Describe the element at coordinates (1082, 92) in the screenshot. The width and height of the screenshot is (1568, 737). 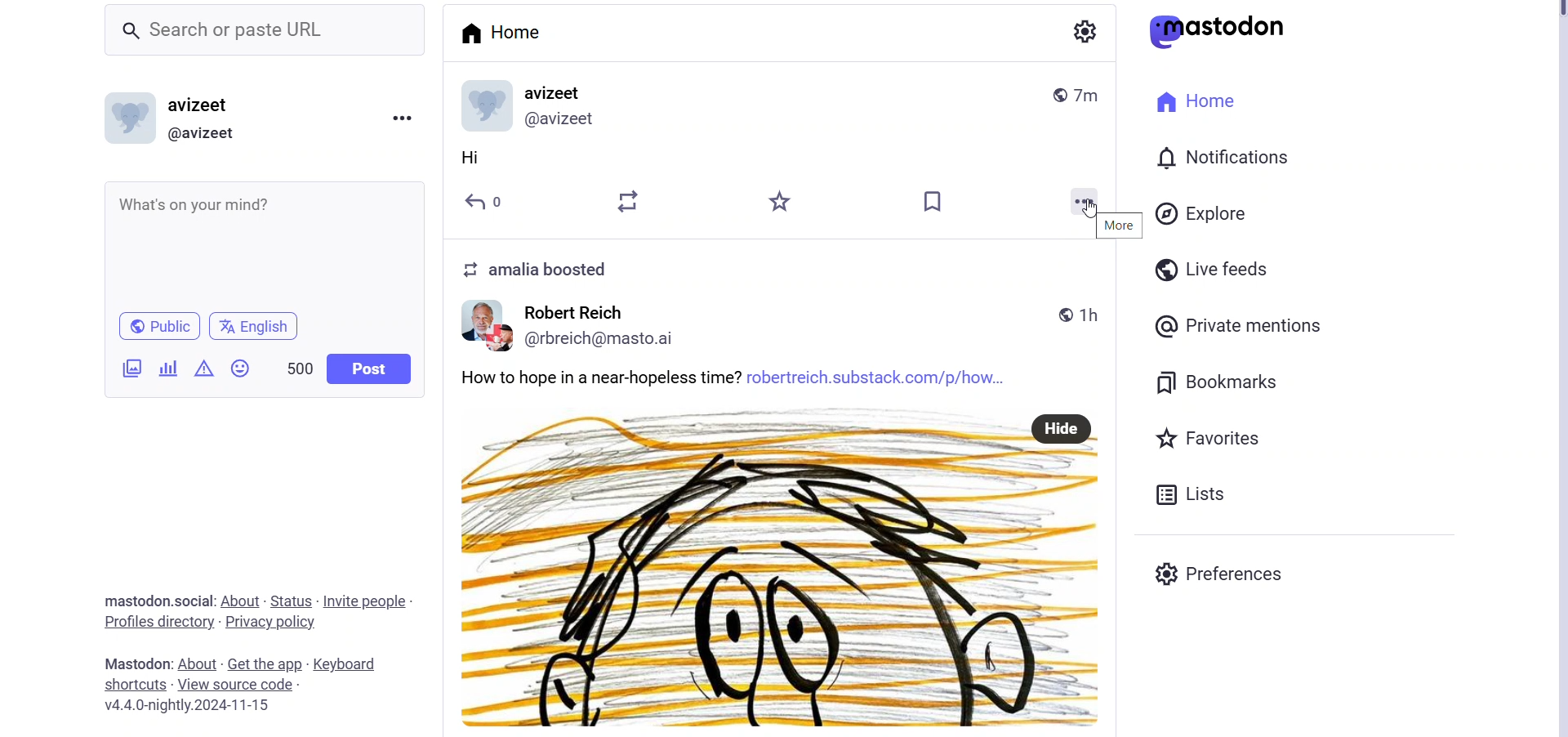
I see `Posted Time` at that location.